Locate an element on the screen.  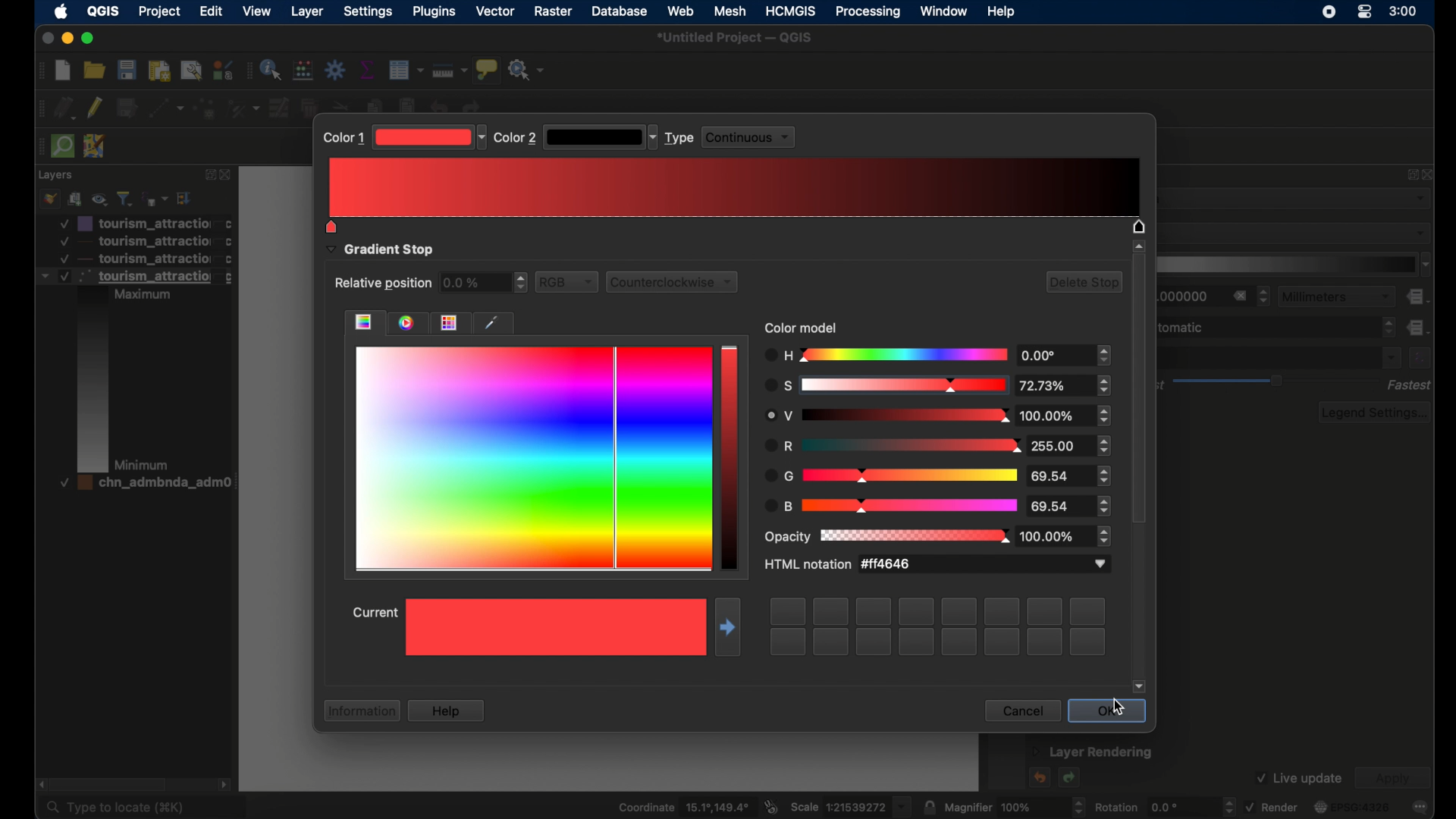
dropper is located at coordinates (495, 322).